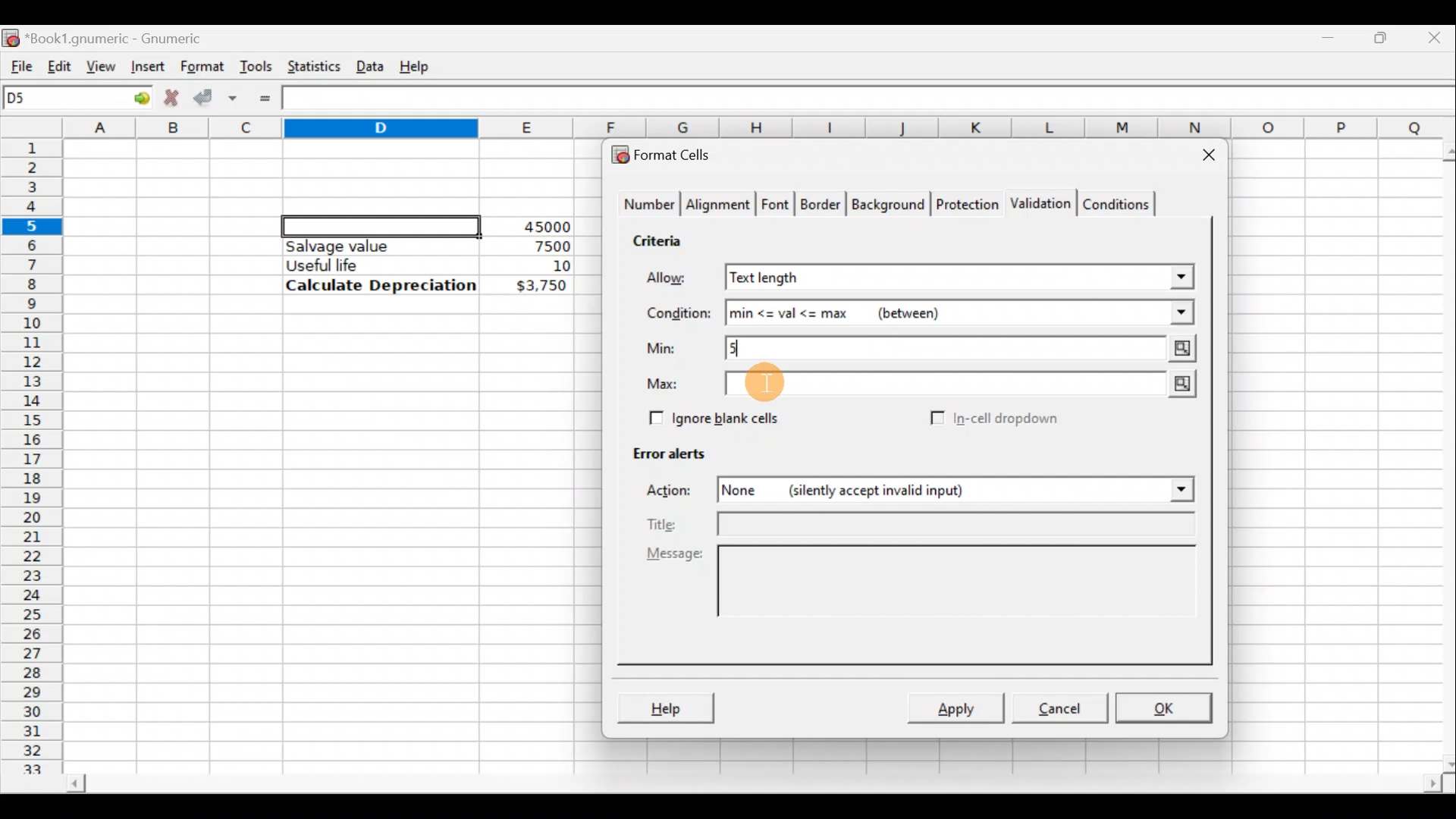 Image resolution: width=1456 pixels, height=819 pixels. I want to click on Close, so click(1437, 36).